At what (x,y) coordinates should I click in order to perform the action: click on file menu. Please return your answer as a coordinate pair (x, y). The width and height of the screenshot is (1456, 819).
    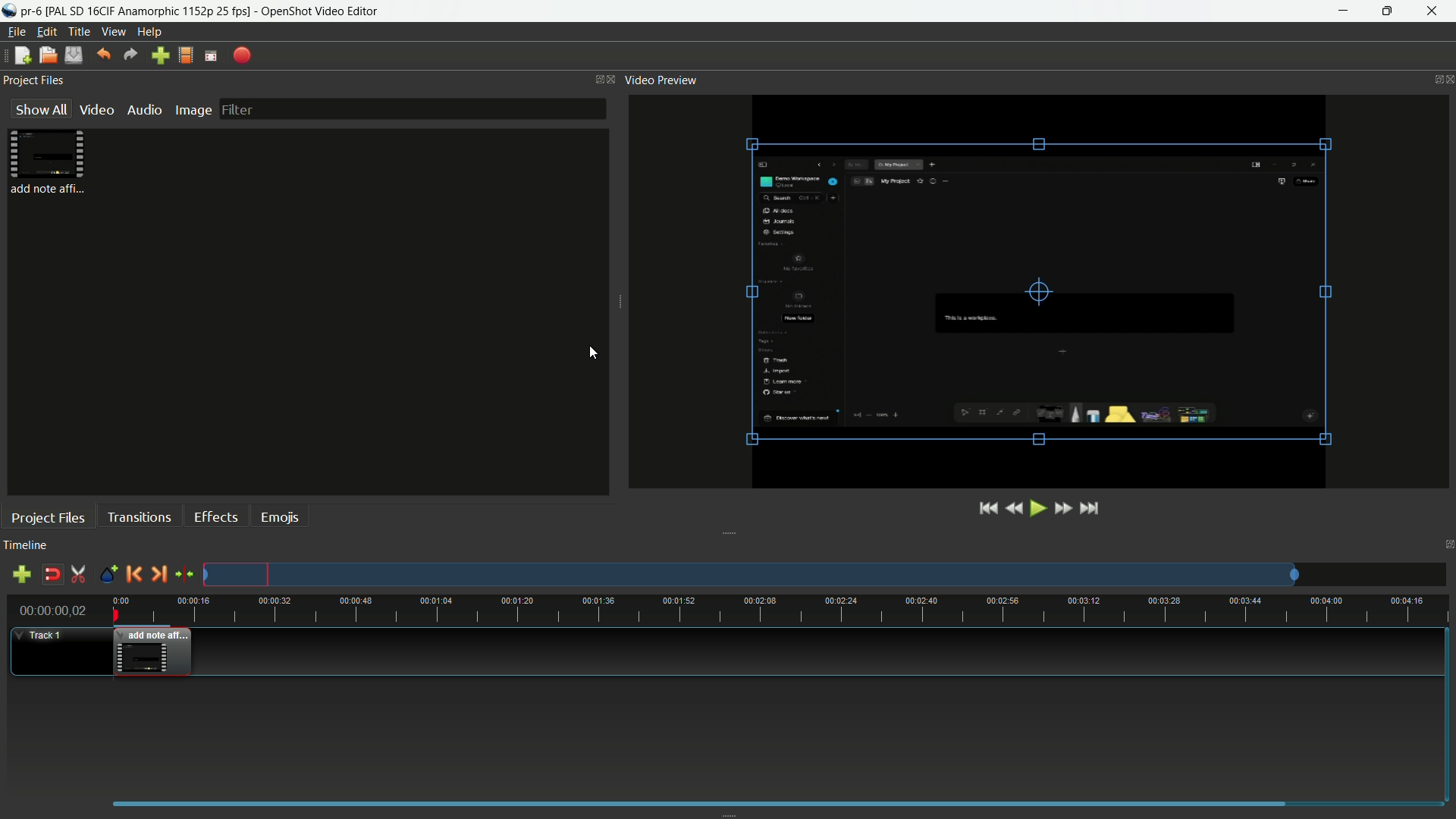
    Looking at the image, I should click on (13, 33).